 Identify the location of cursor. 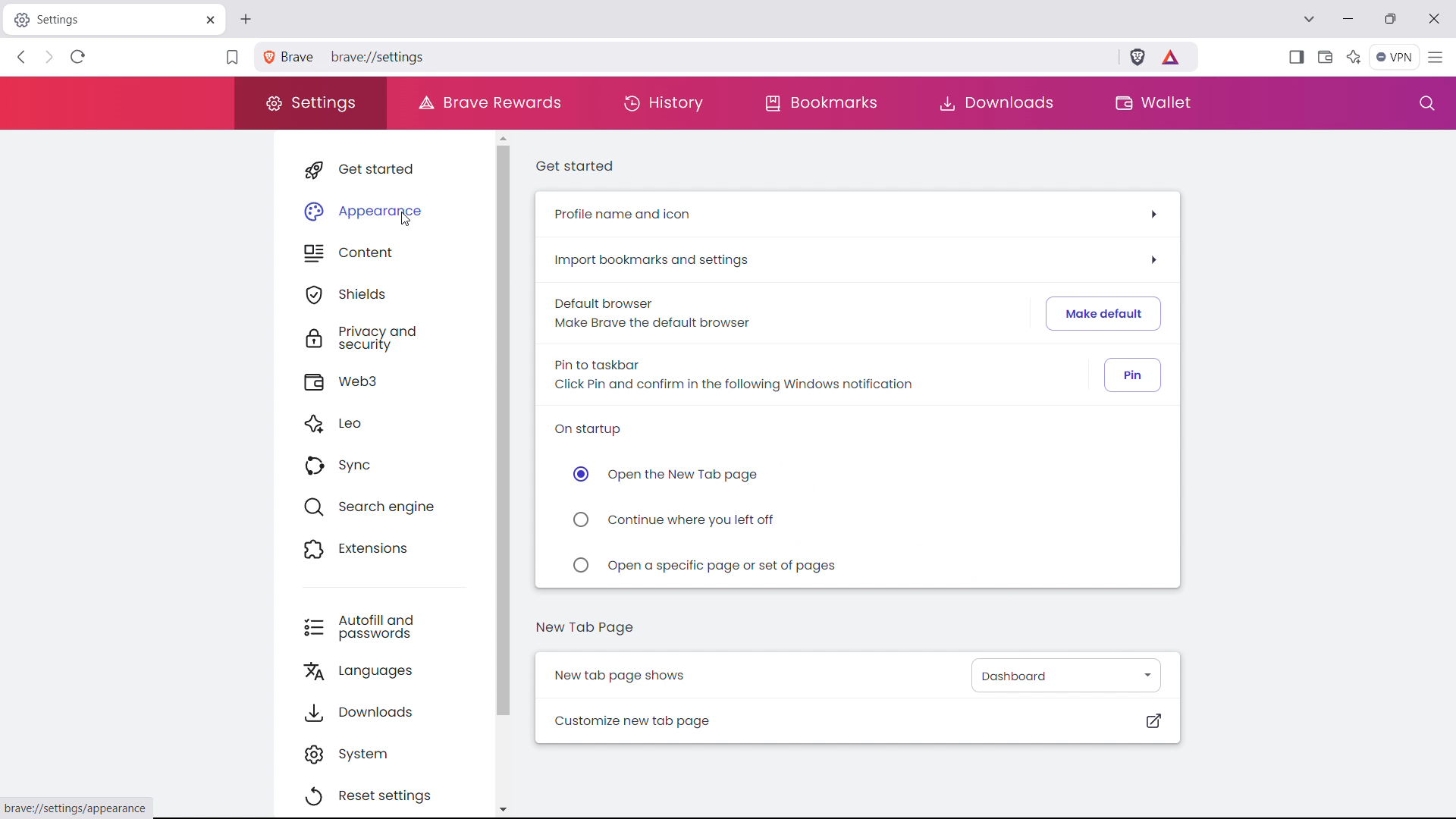
(406, 220).